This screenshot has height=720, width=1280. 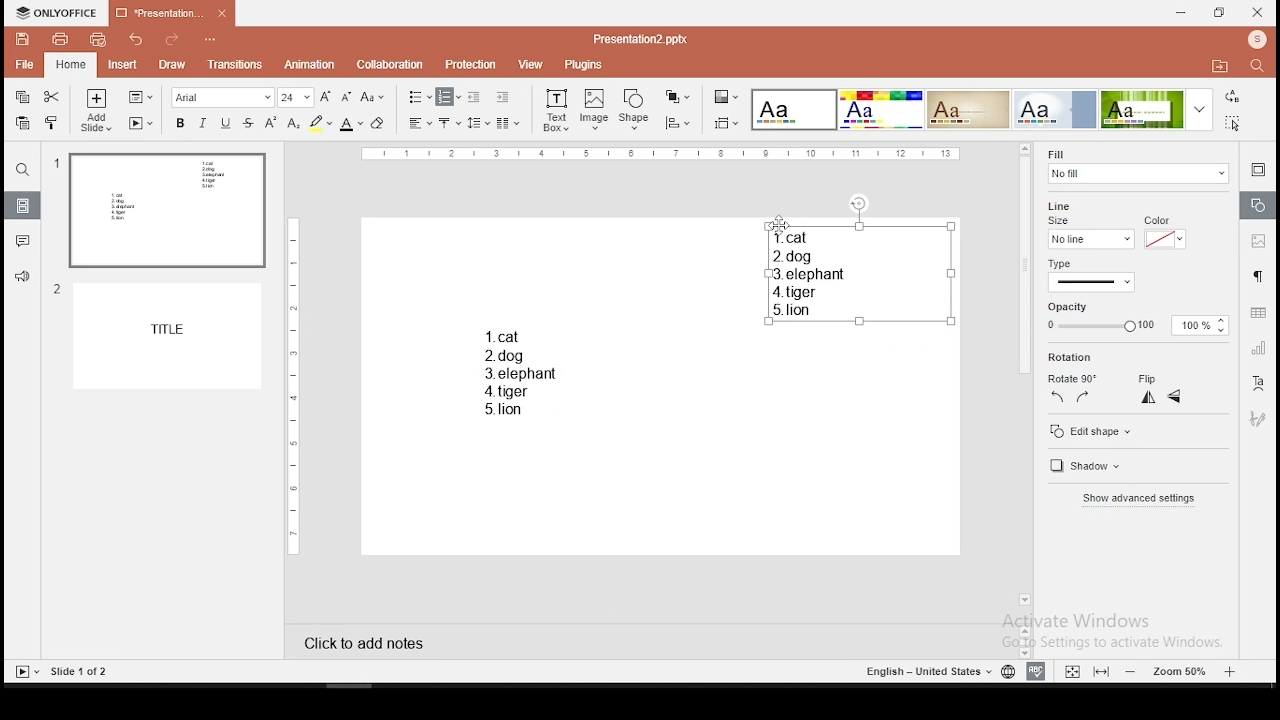 I want to click on image, so click(x=595, y=110).